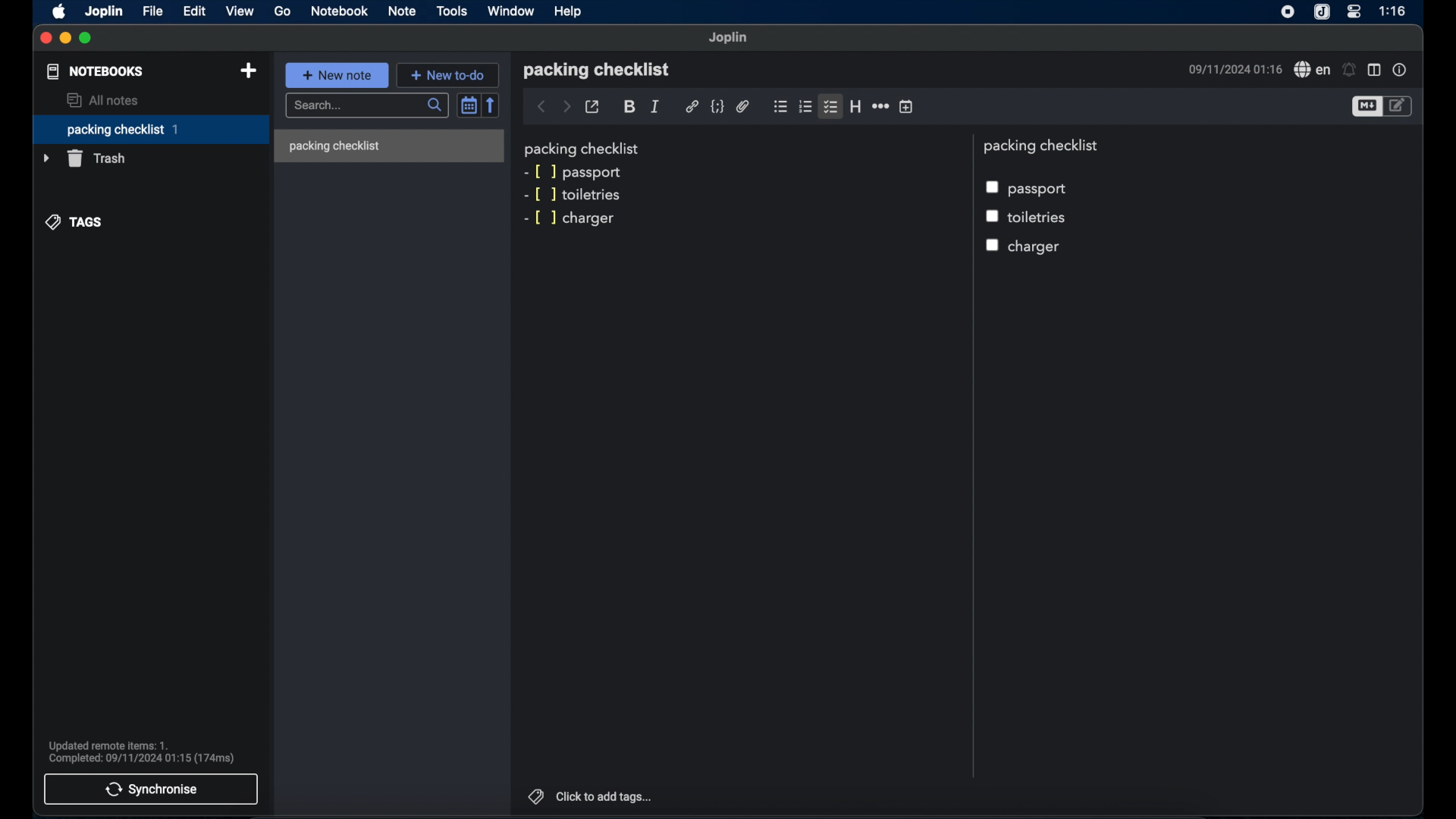 The width and height of the screenshot is (1456, 819). Describe the element at coordinates (569, 11) in the screenshot. I see `help` at that location.